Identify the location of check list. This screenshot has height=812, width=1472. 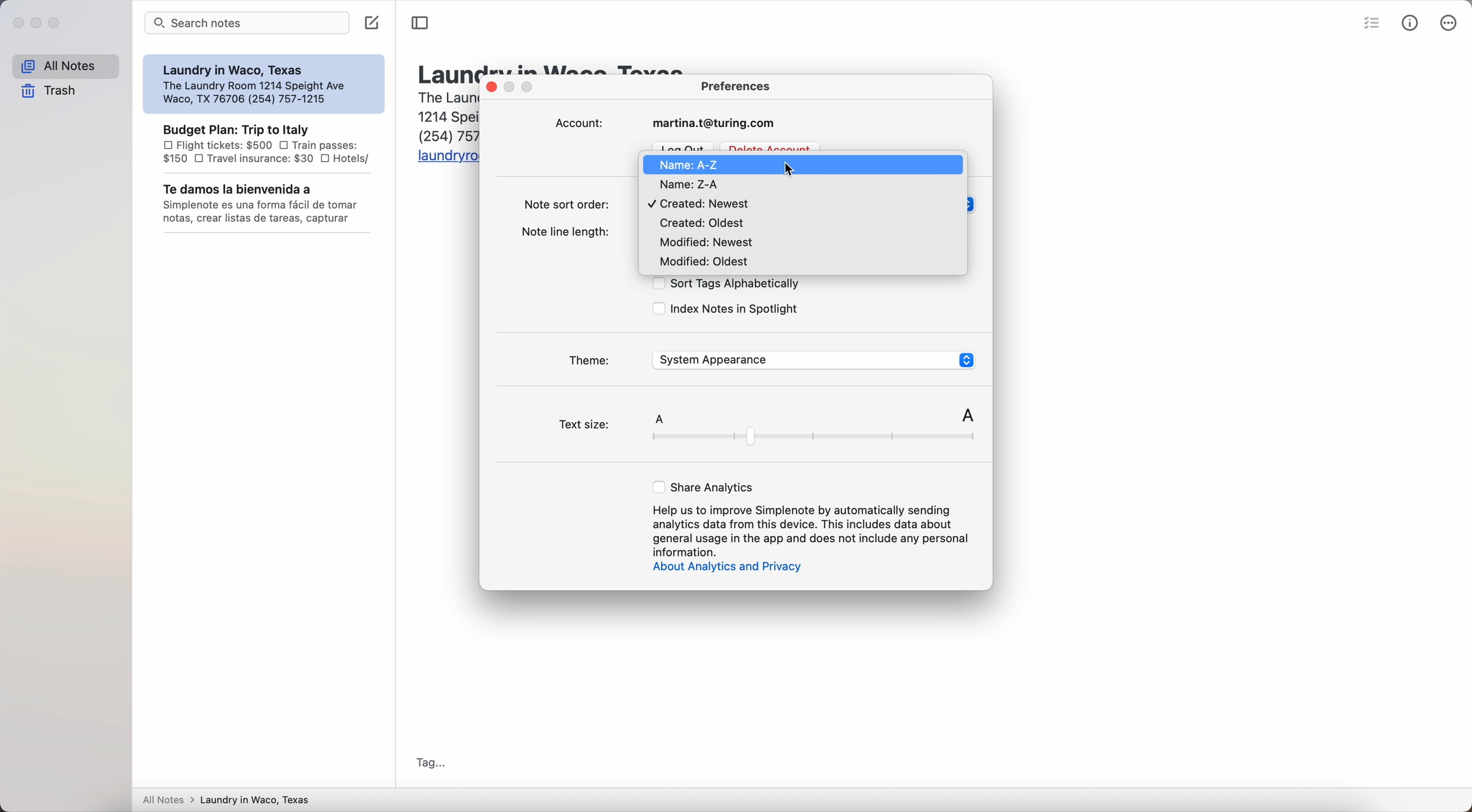
(1374, 22).